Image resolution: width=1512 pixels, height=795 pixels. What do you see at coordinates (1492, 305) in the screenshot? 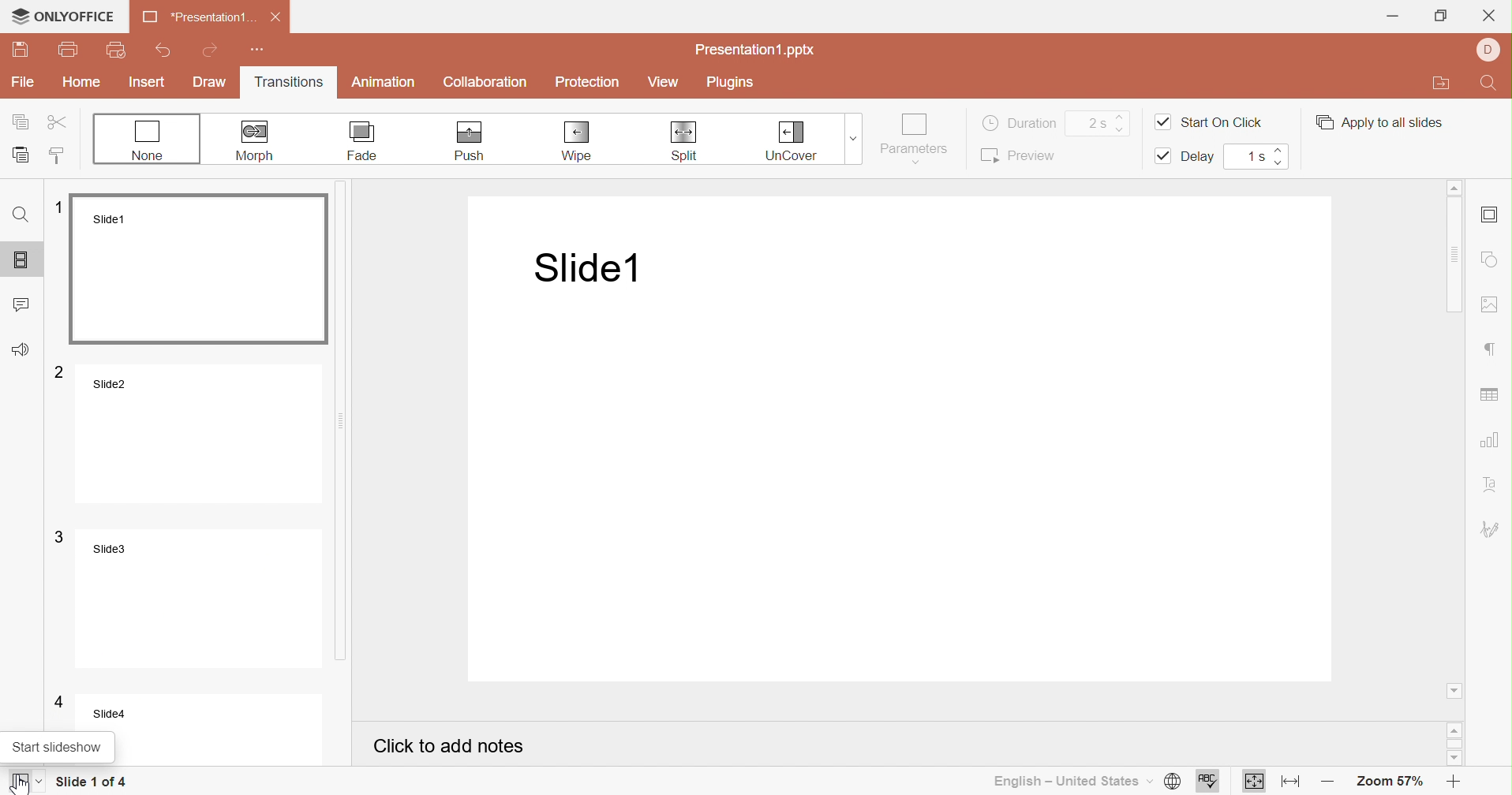
I see `Insert image` at bounding box center [1492, 305].